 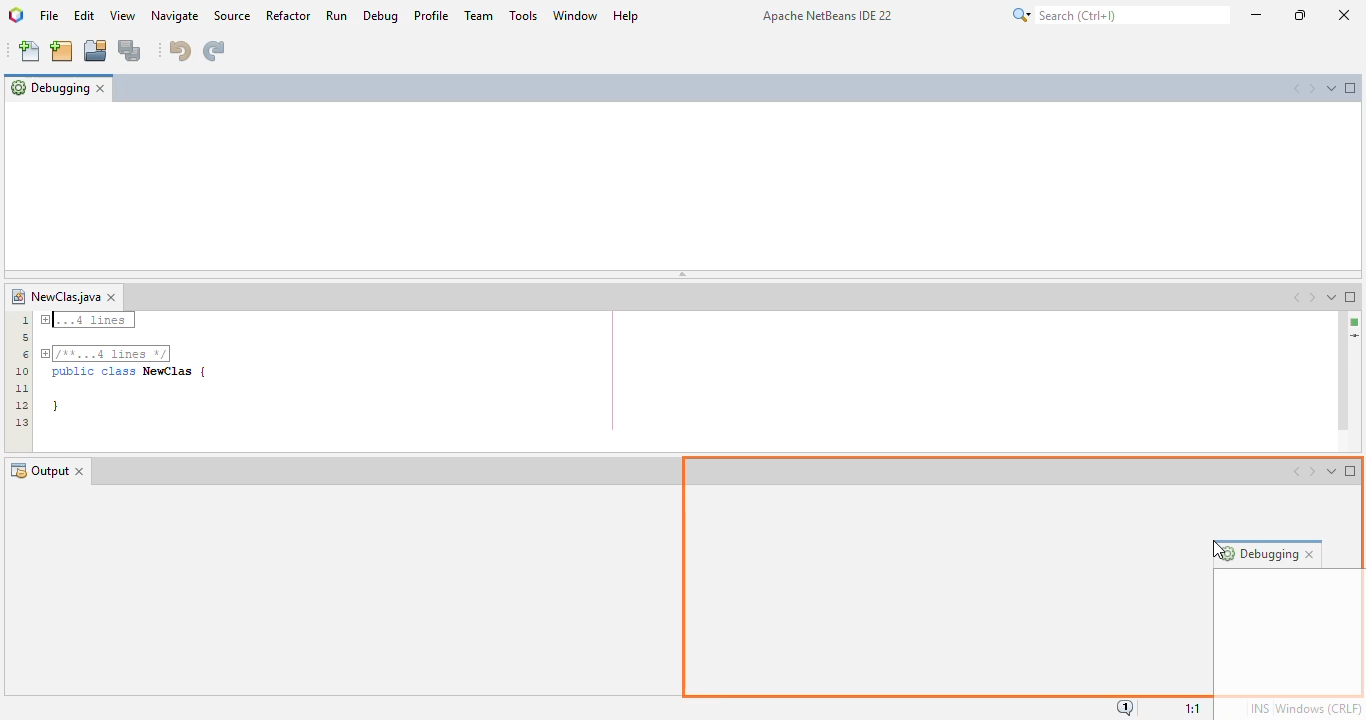 What do you see at coordinates (232, 15) in the screenshot?
I see `source` at bounding box center [232, 15].